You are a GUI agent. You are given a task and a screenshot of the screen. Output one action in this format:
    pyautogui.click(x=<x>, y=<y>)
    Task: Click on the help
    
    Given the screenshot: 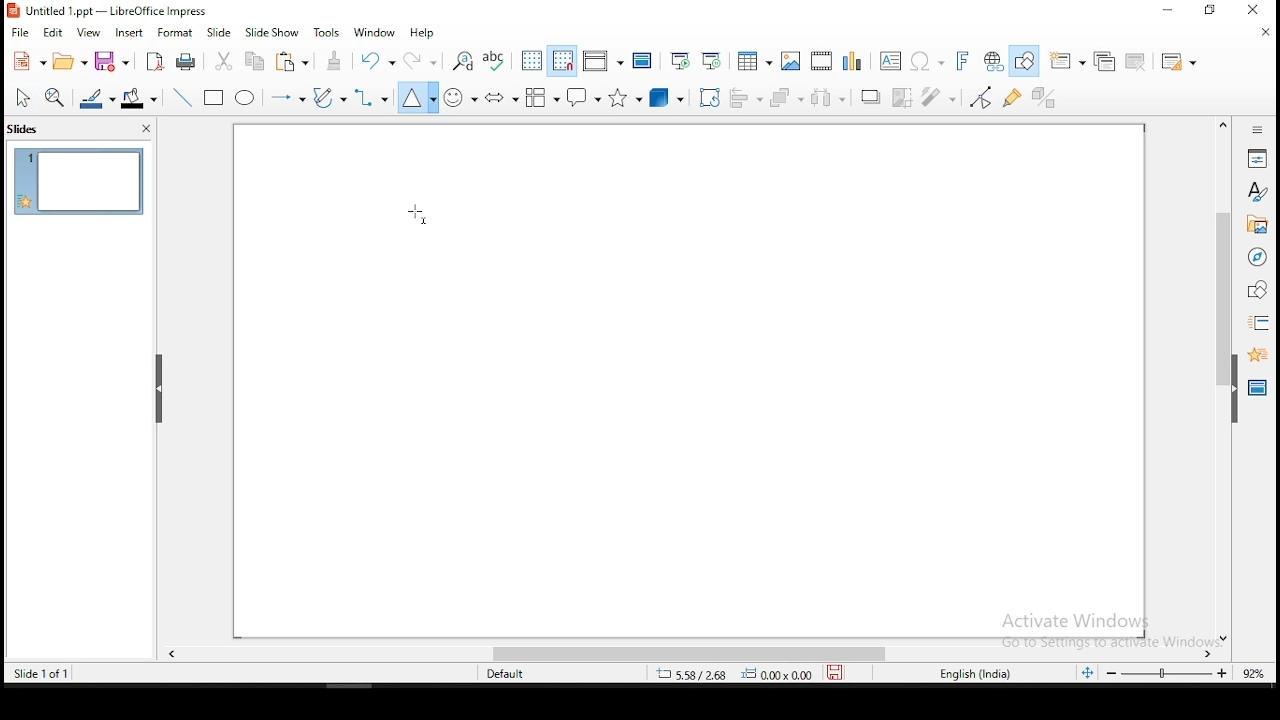 What is the action you would take?
    pyautogui.click(x=427, y=33)
    